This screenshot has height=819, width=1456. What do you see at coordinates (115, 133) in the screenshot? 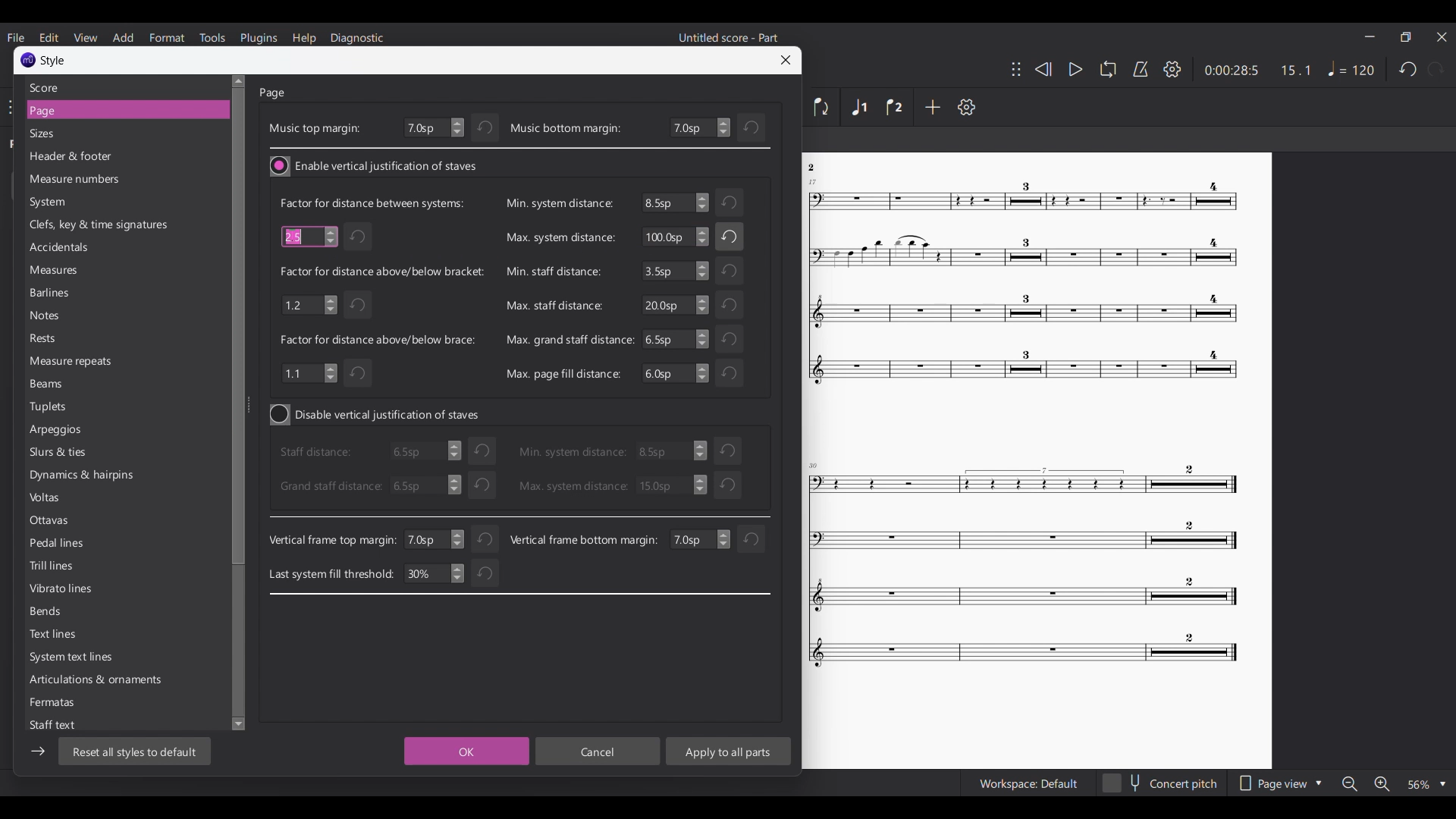
I see `Sizes` at bounding box center [115, 133].